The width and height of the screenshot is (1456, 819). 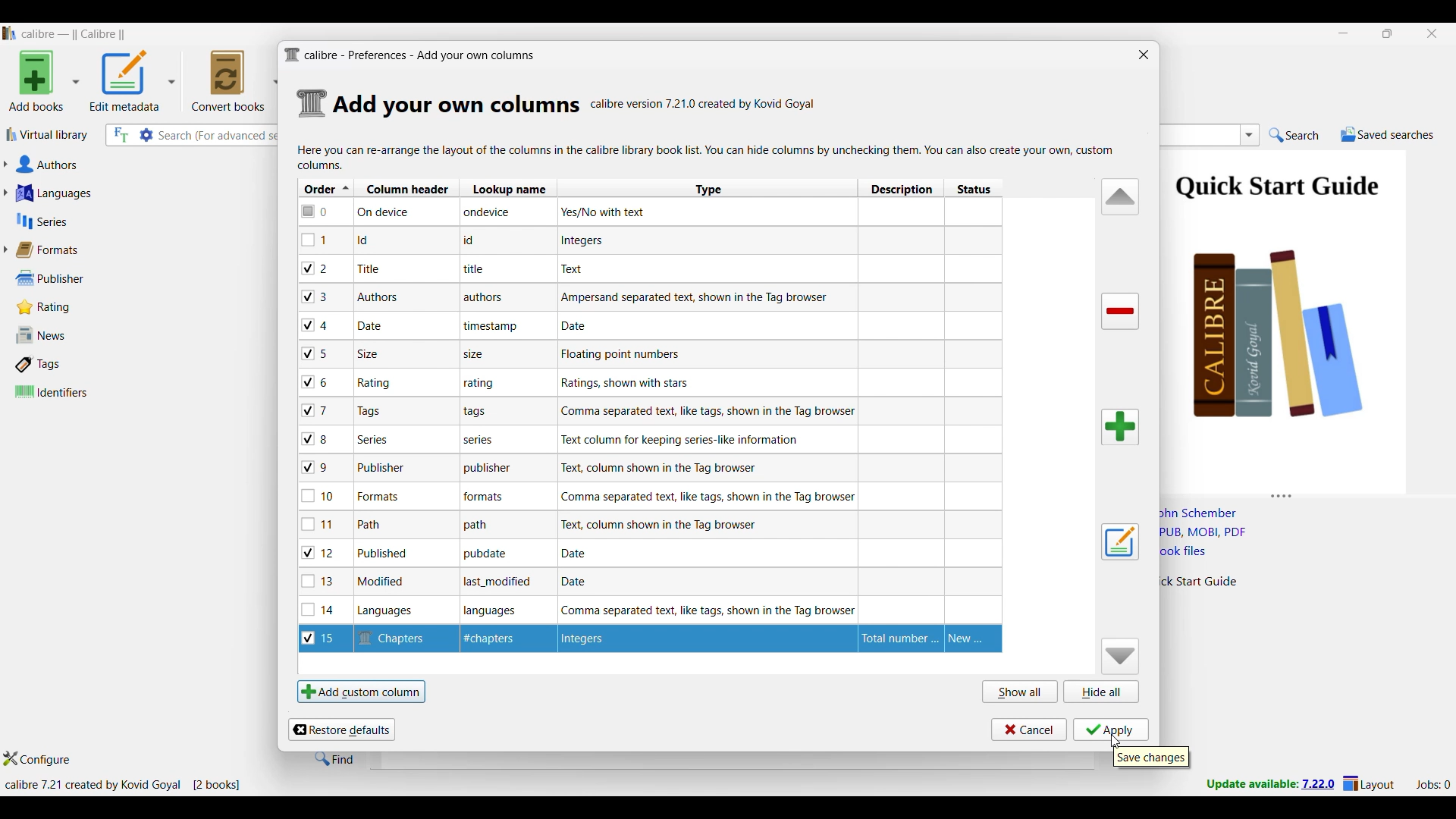 I want to click on checkbox - 7, so click(x=317, y=410).